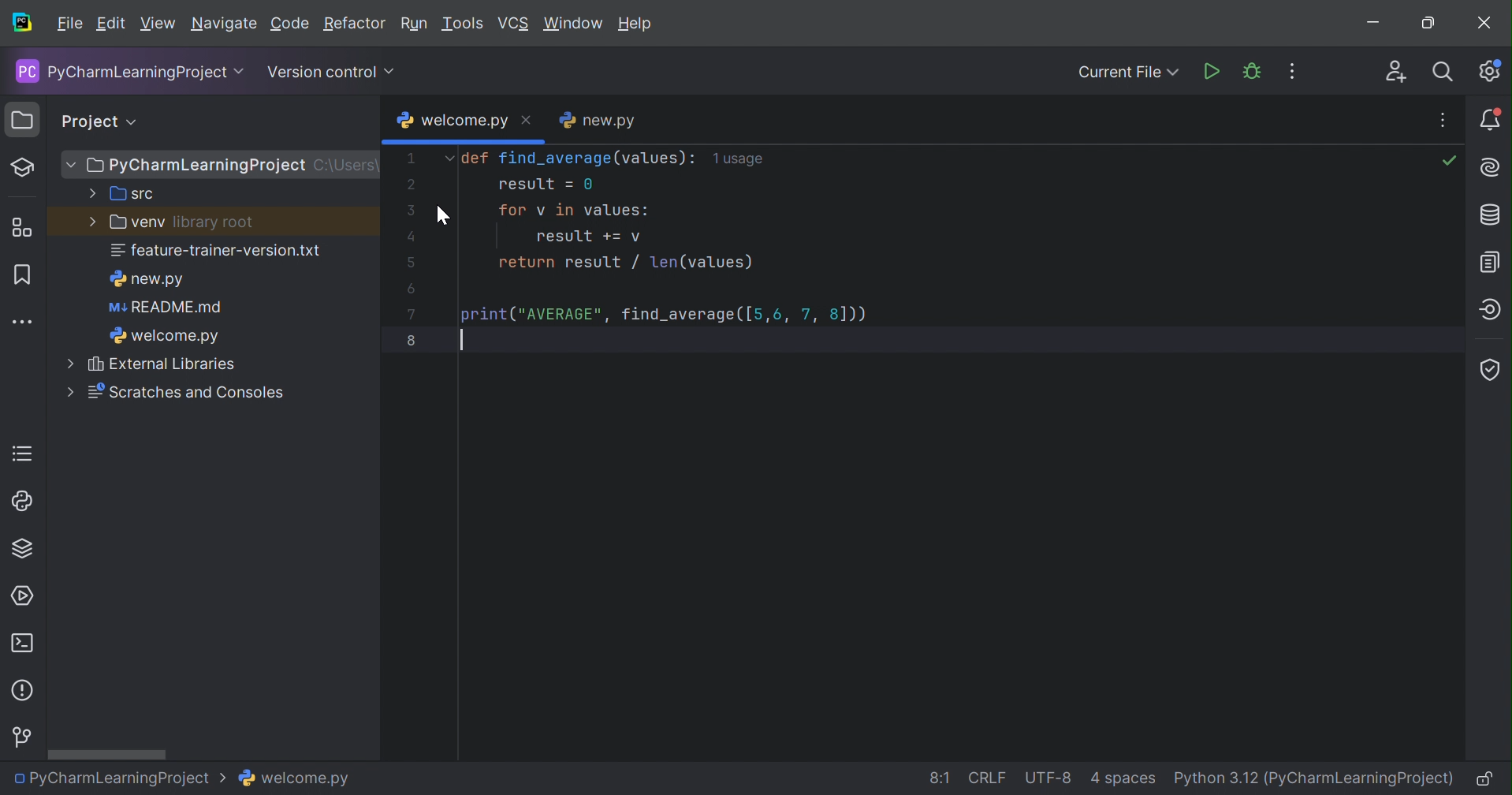 This screenshot has height=795, width=1512. I want to click on Documentation, so click(1488, 262).